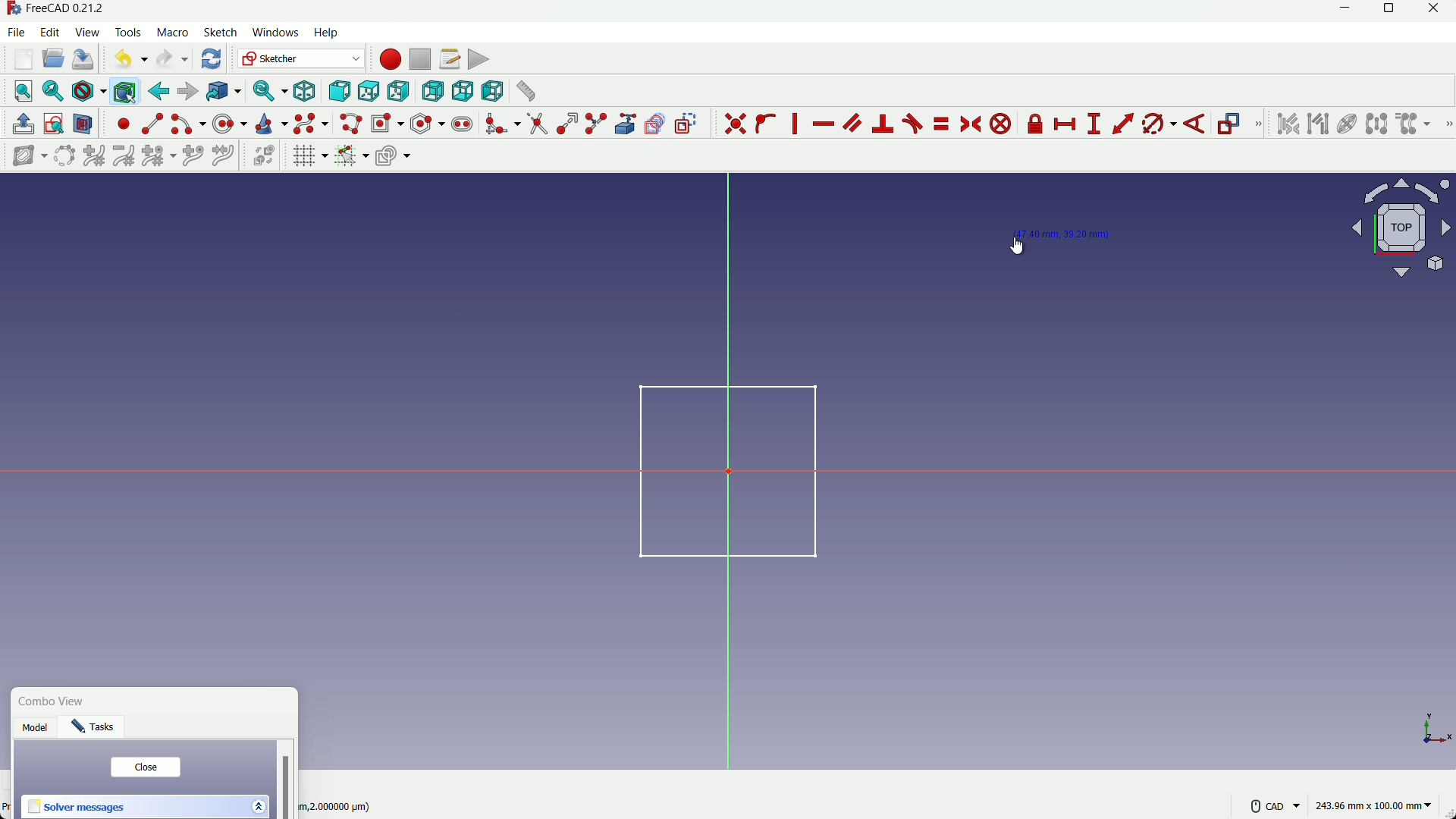 Image resolution: width=1456 pixels, height=819 pixels. Describe the element at coordinates (419, 60) in the screenshot. I see `stop macros` at that location.